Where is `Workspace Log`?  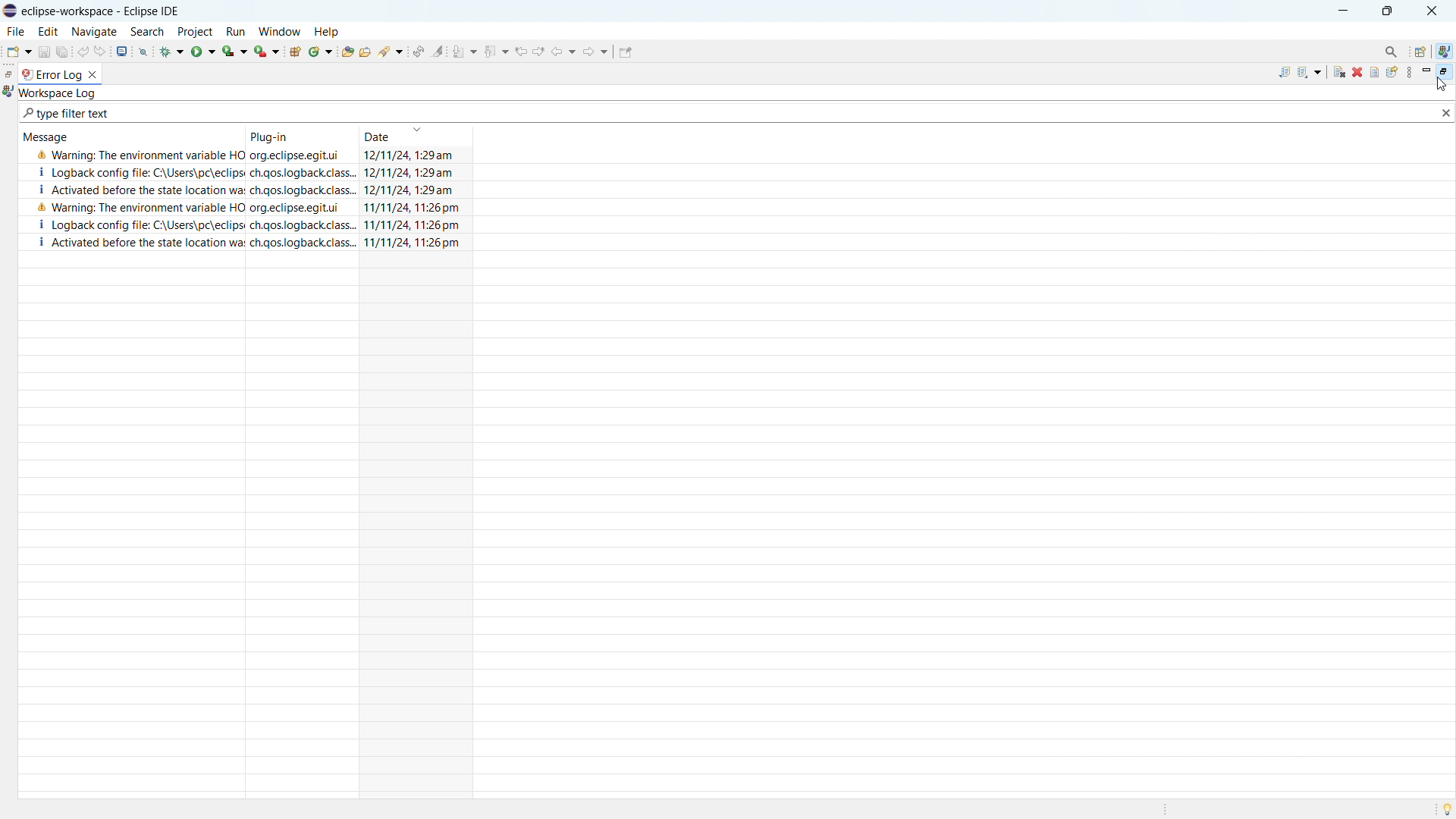
Workspace Log is located at coordinates (62, 93).